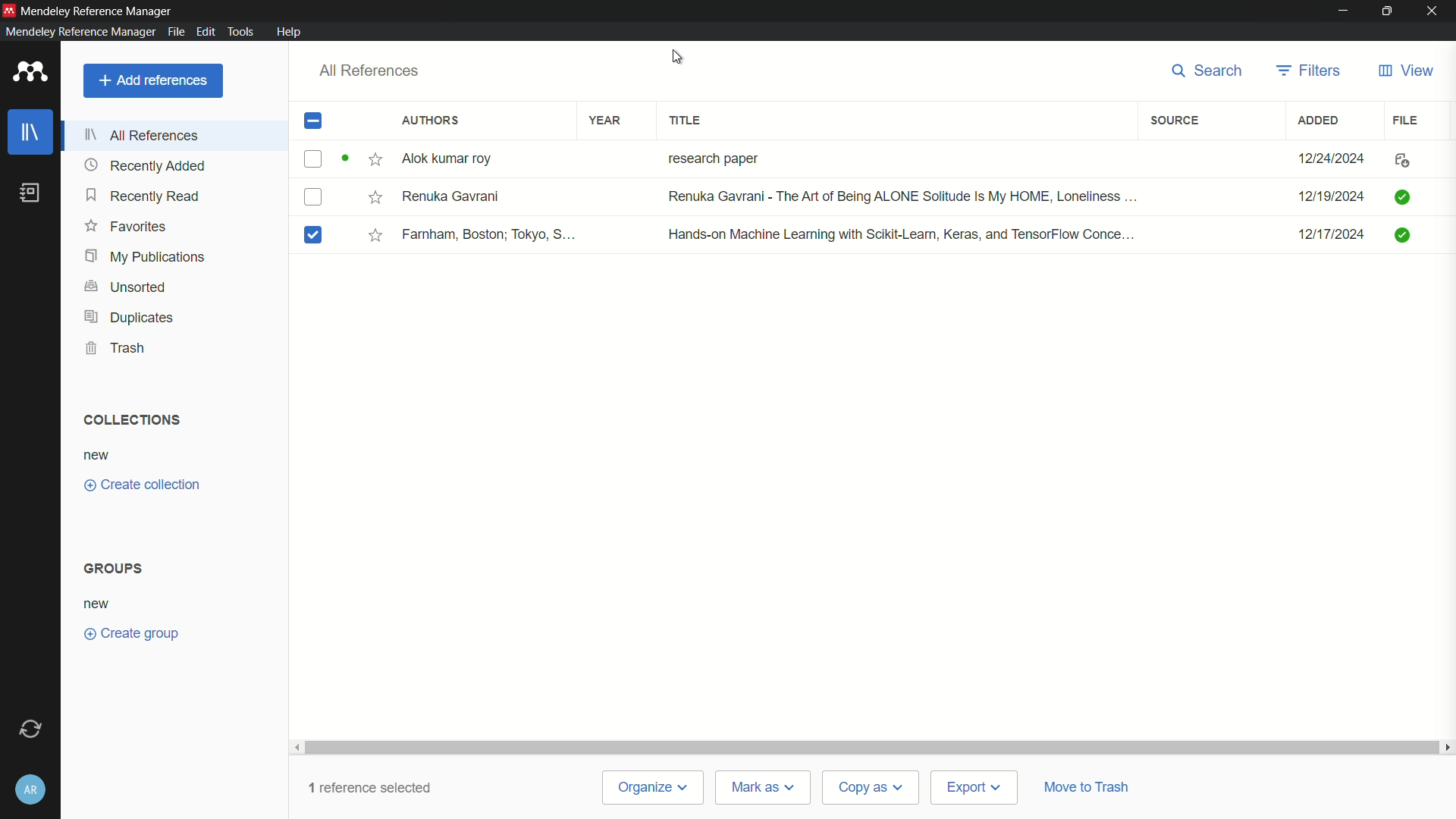 This screenshot has width=1456, height=819. Describe the element at coordinates (654, 789) in the screenshot. I see `organize` at that location.